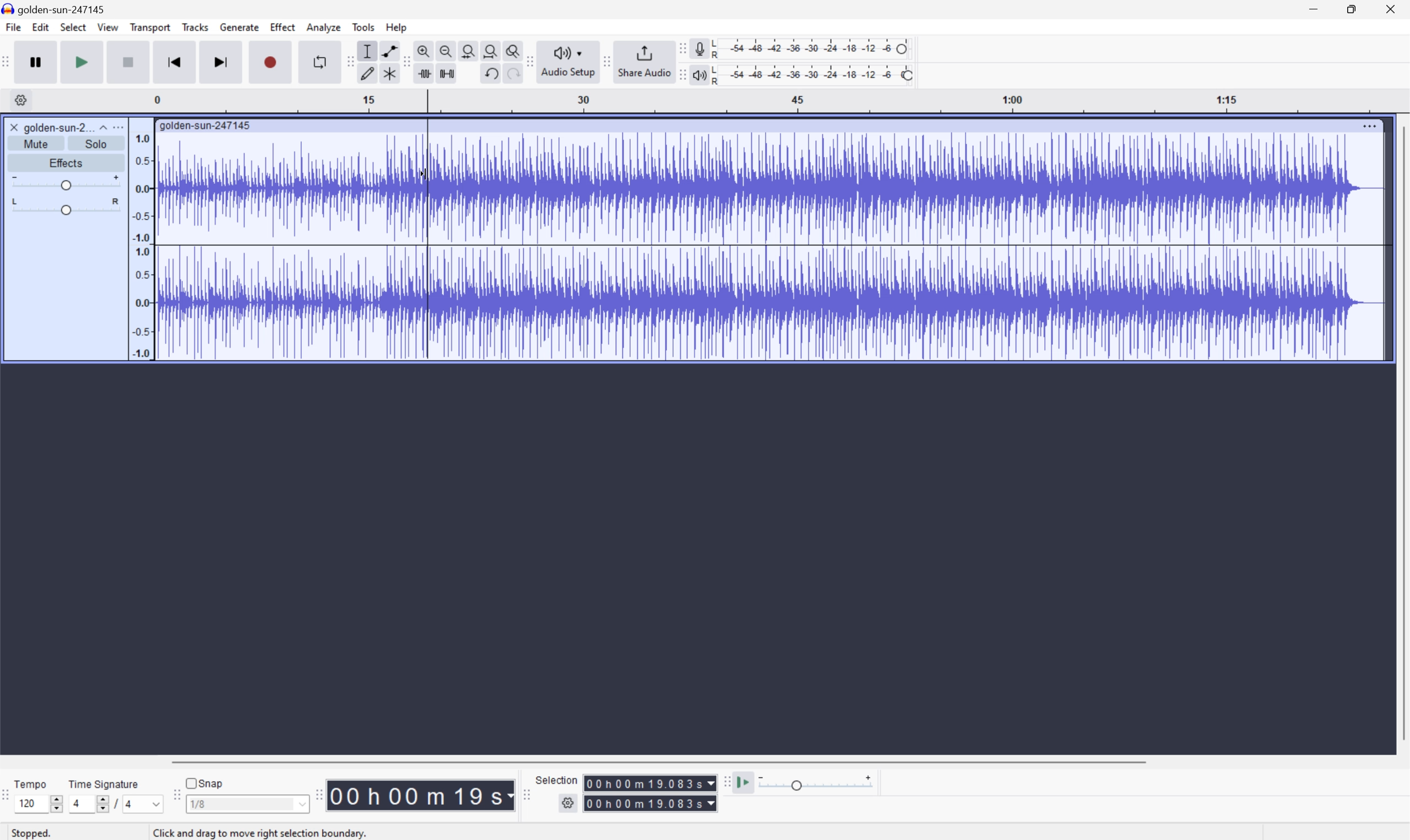 The width and height of the screenshot is (1410, 840). I want to click on Drop Down, so click(101, 125).